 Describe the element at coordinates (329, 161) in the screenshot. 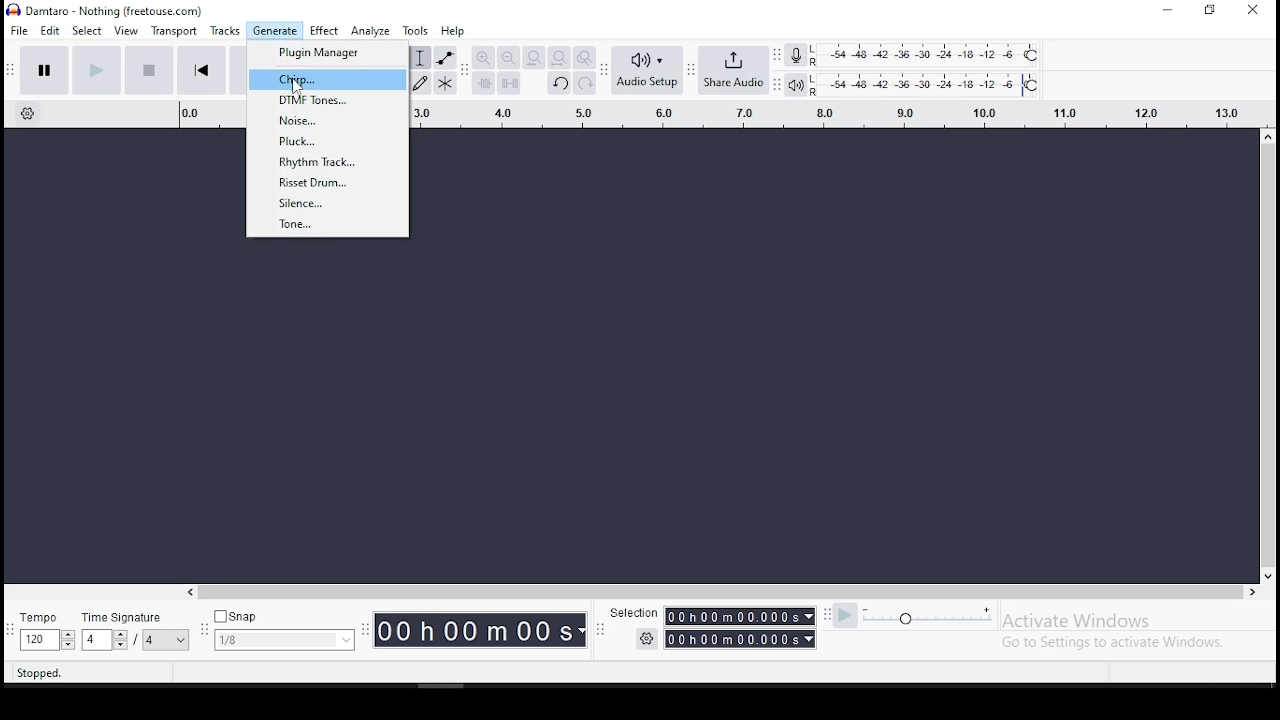

I see `rhythm track` at that location.